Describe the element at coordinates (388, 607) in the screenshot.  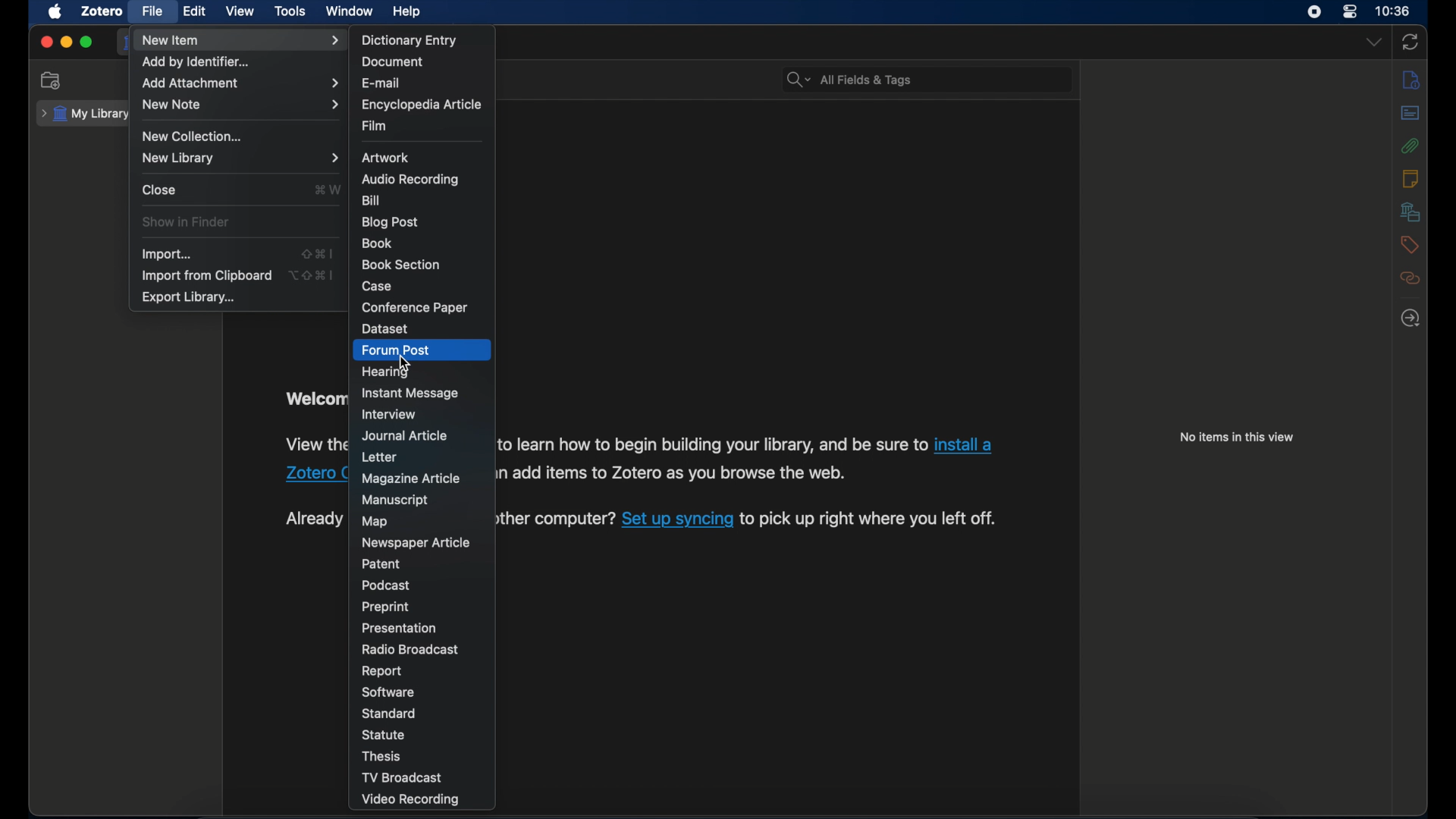
I see `preprint` at that location.